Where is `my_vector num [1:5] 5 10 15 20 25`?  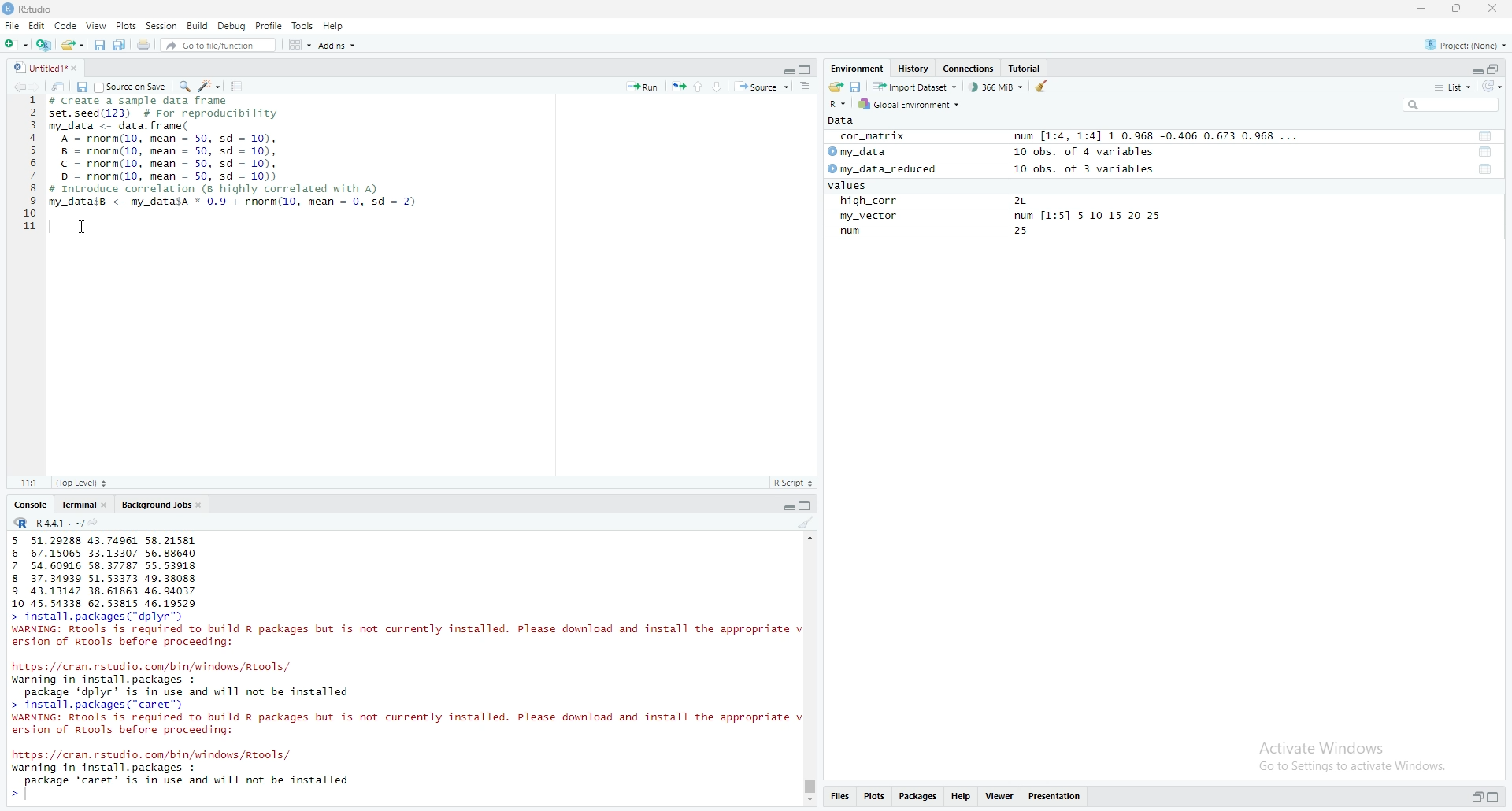
my_vector num [1:5] 5 10 15 20 25 is located at coordinates (1002, 217).